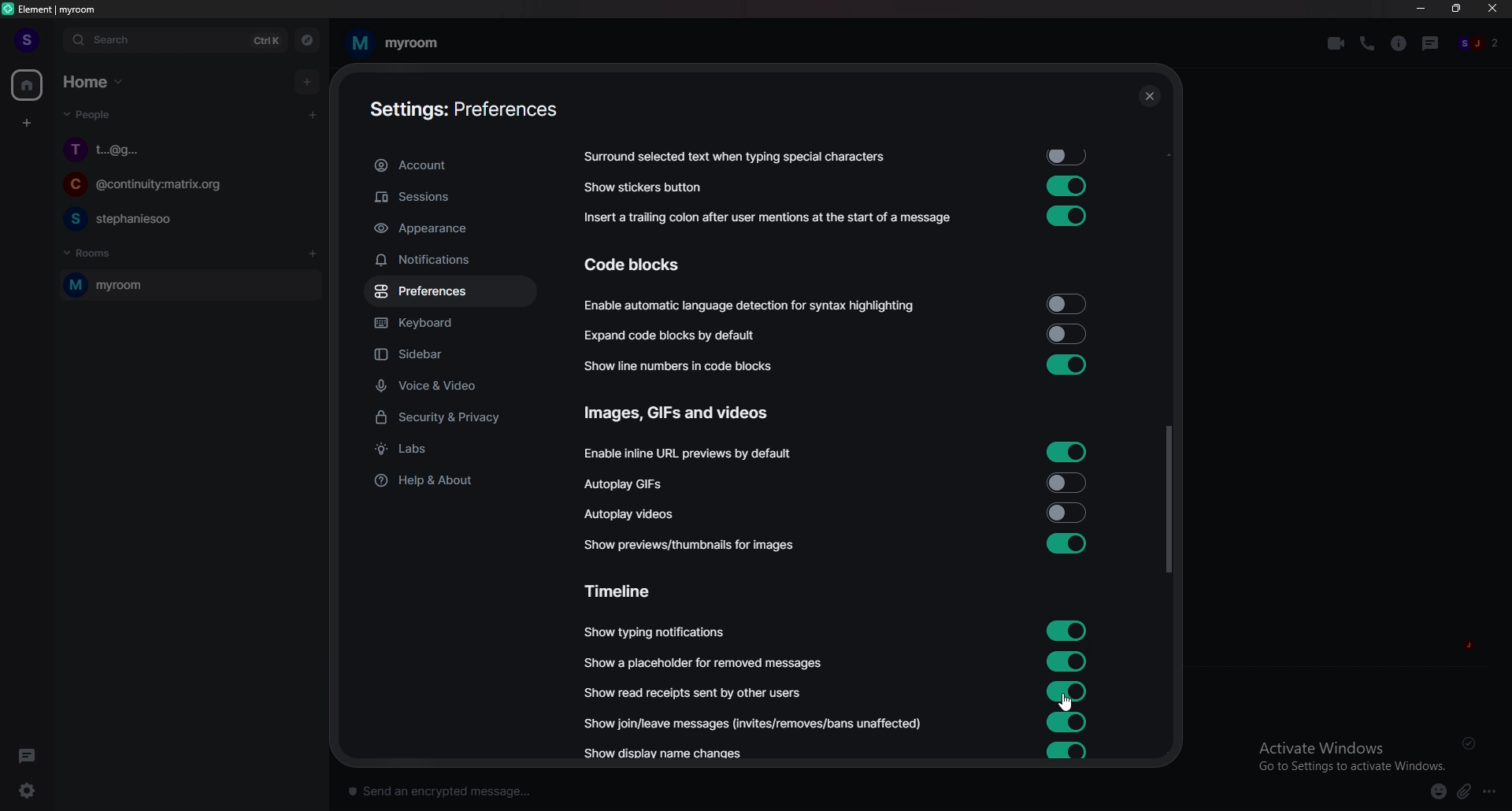  I want to click on dark, so click(31, 755).